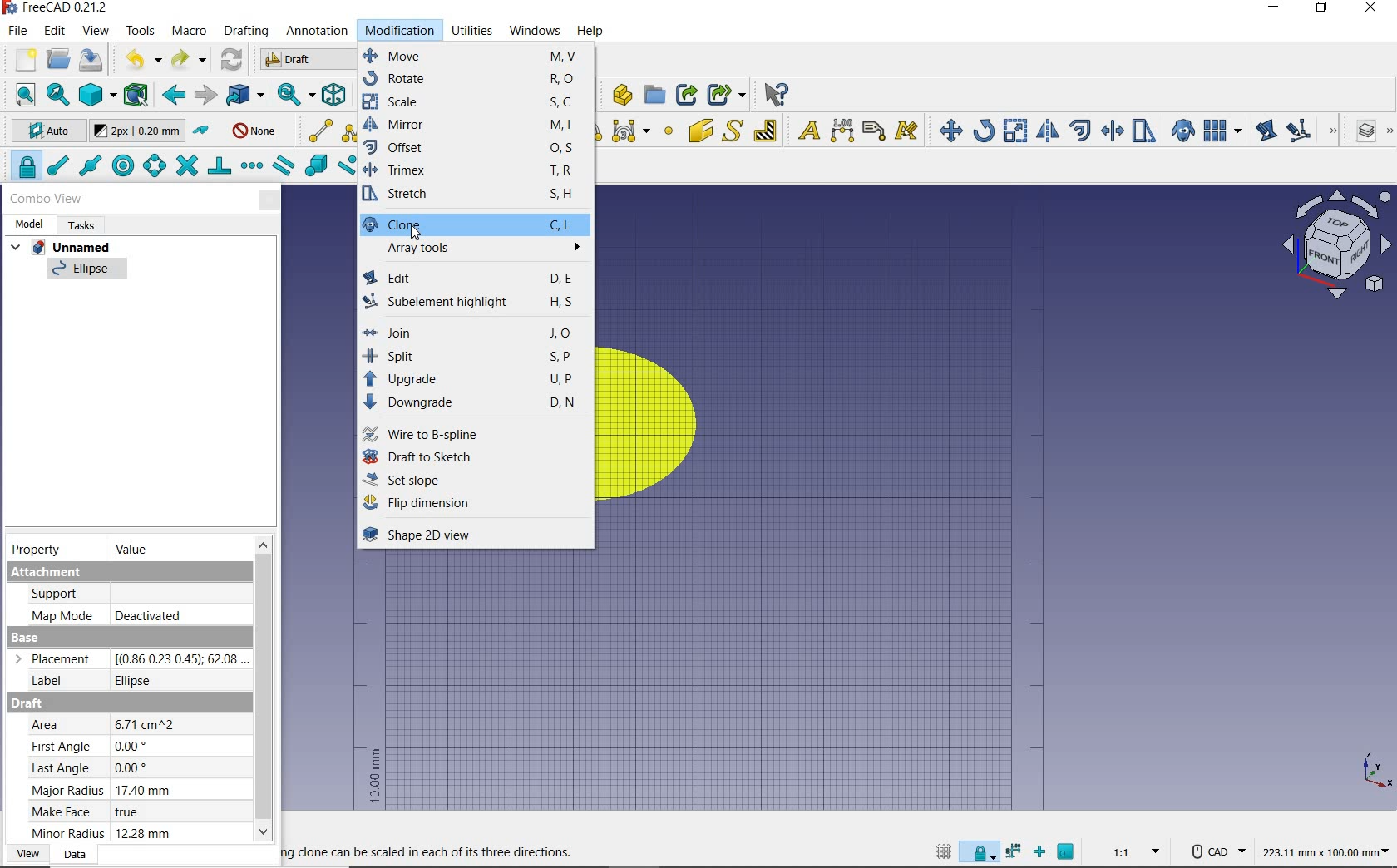 The width and height of the screenshot is (1397, 868). What do you see at coordinates (127, 663) in the screenshot?
I see `base` at bounding box center [127, 663].